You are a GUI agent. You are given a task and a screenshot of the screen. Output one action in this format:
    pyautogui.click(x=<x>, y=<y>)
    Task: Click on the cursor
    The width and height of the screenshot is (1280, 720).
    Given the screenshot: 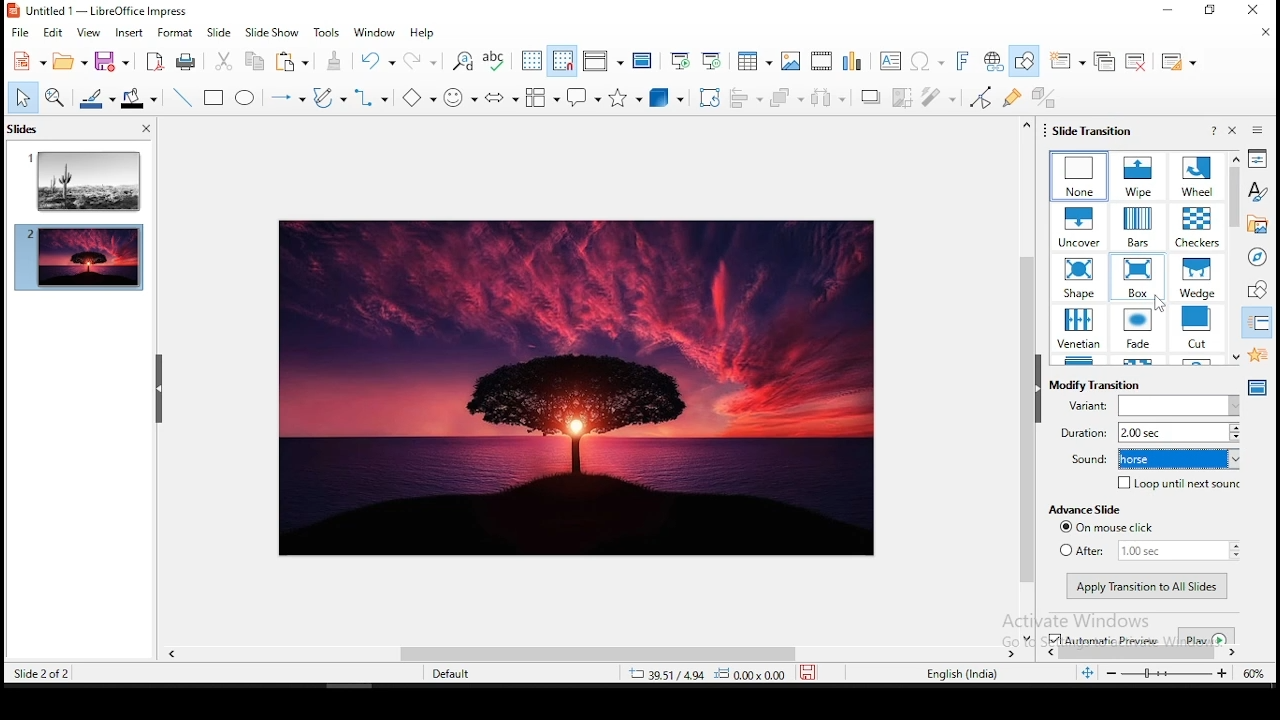 What is the action you would take?
    pyautogui.click(x=1157, y=302)
    